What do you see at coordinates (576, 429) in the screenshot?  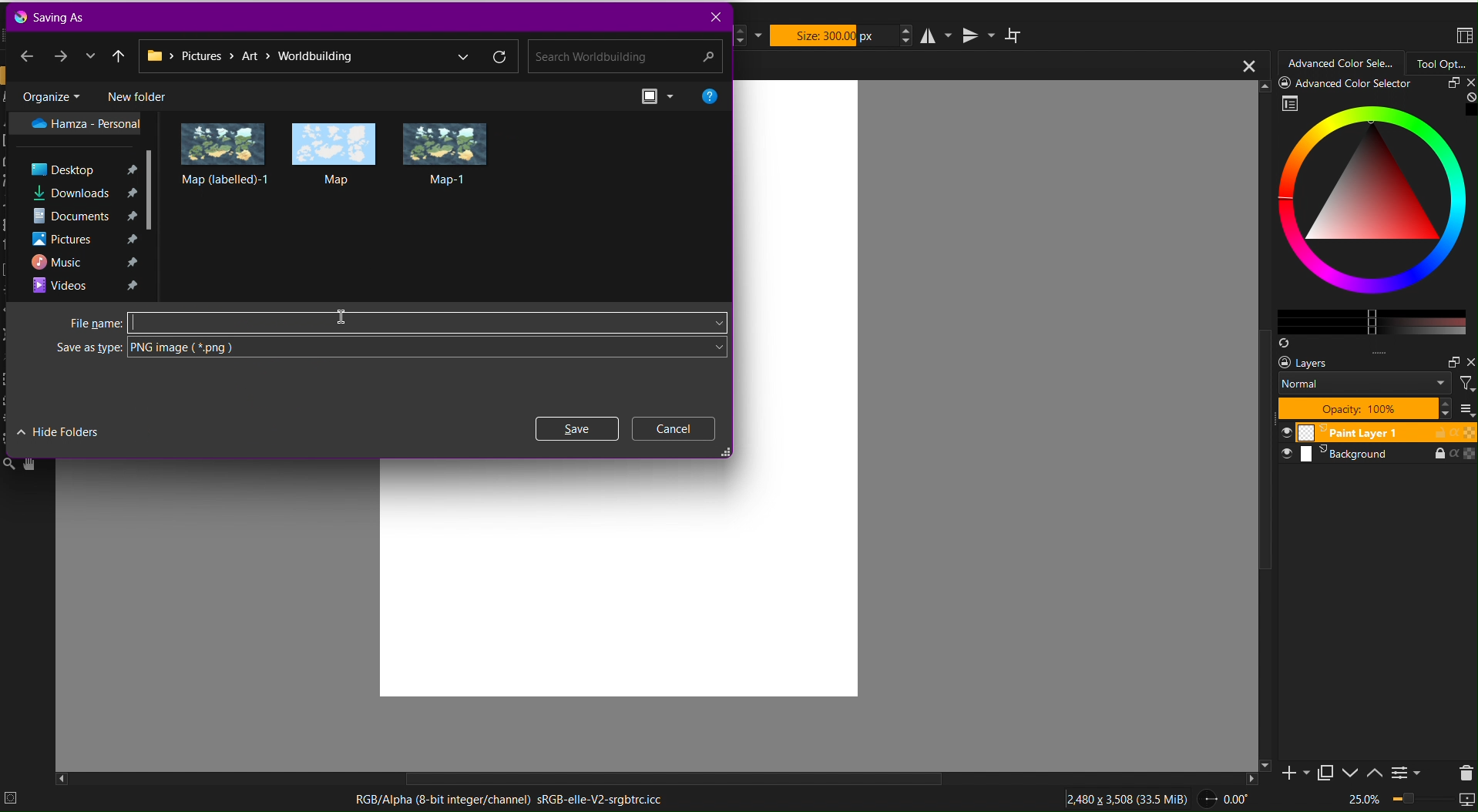 I see `` at bounding box center [576, 429].